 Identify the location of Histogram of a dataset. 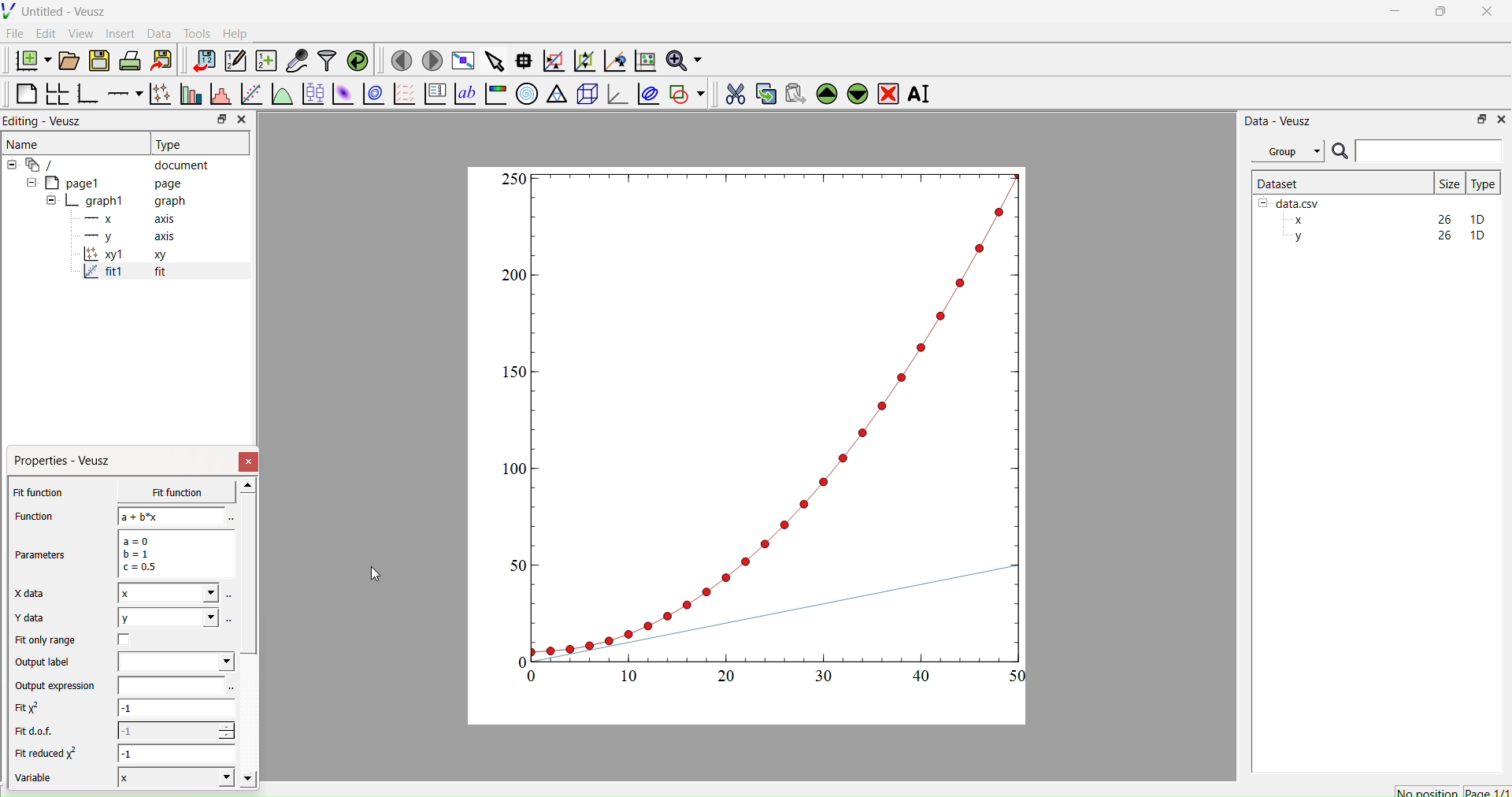
(217, 96).